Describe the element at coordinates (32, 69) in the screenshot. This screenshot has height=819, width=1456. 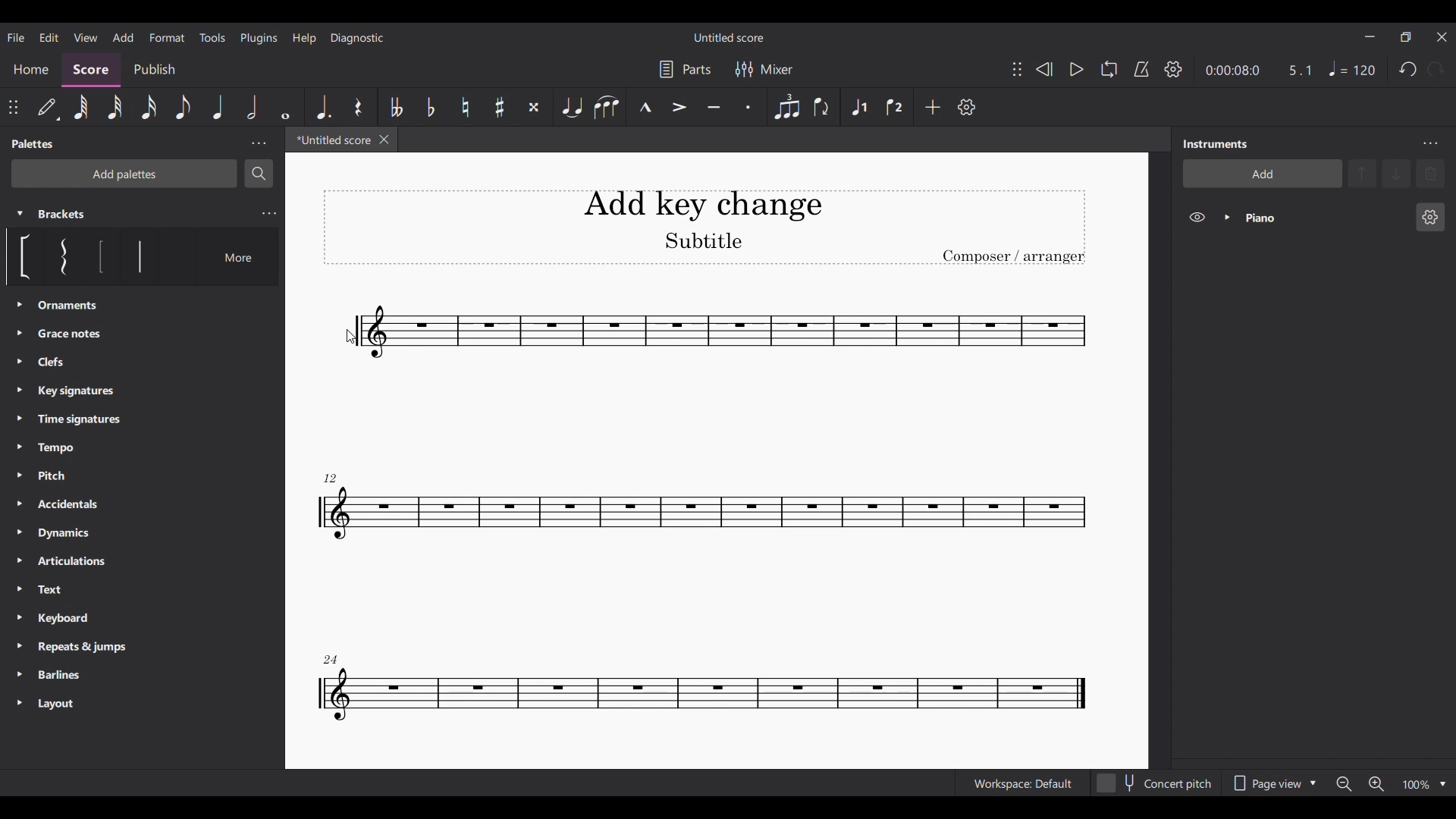
I see `Home section` at that location.